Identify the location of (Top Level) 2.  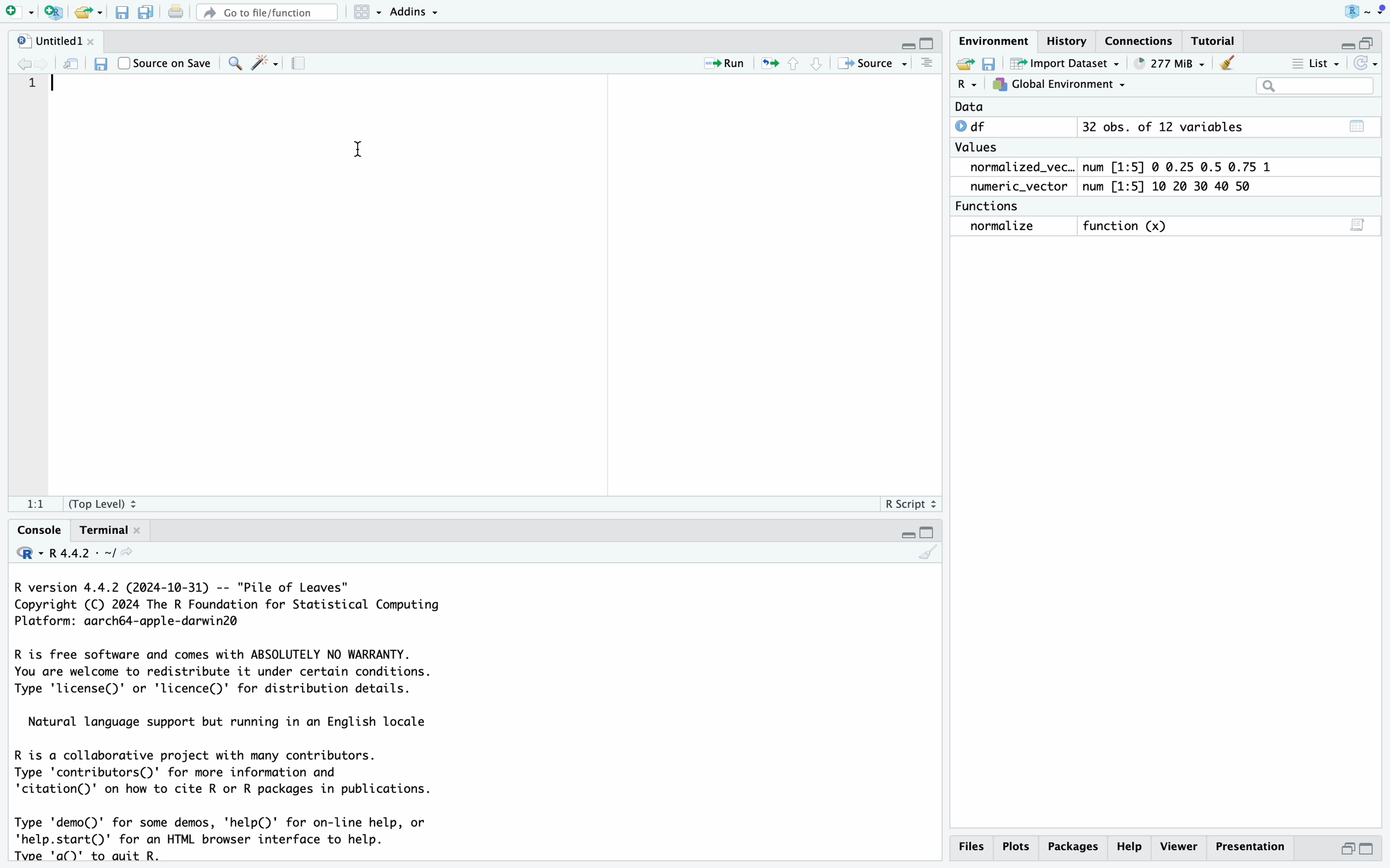
(105, 503).